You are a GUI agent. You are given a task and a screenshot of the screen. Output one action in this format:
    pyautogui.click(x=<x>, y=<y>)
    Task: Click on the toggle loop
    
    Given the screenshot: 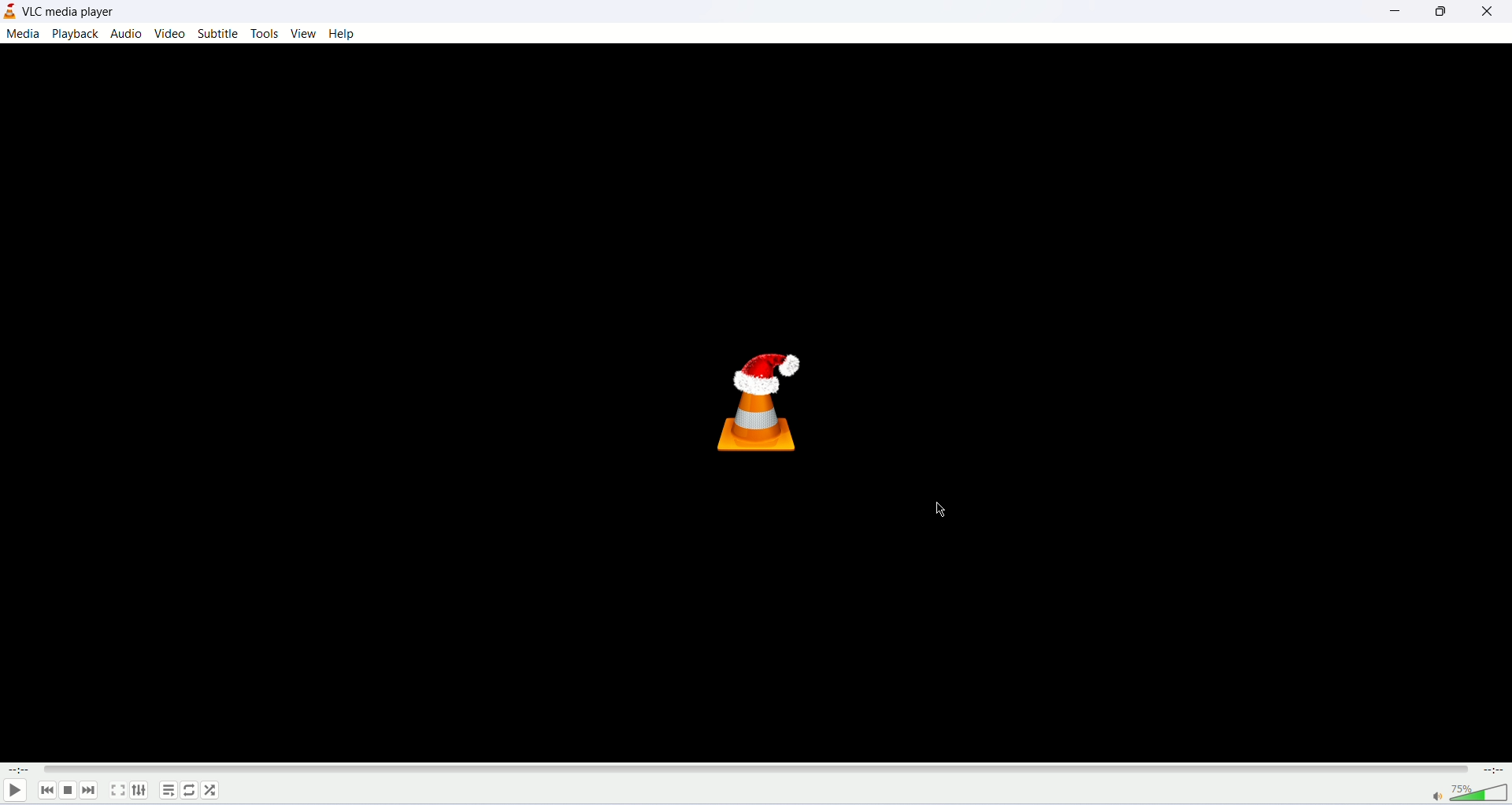 What is the action you would take?
    pyautogui.click(x=189, y=791)
    